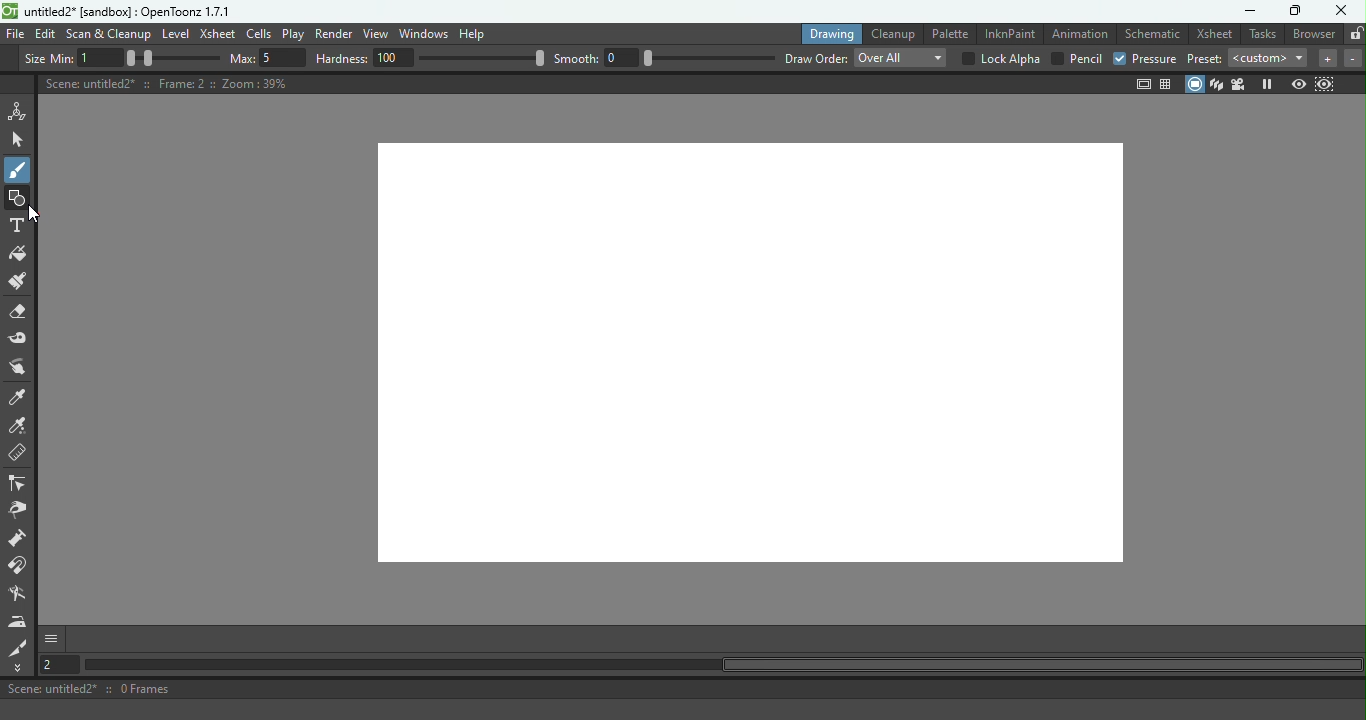  What do you see at coordinates (51, 640) in the screenshot?
I see `More options` at bounding box center [51, 640].